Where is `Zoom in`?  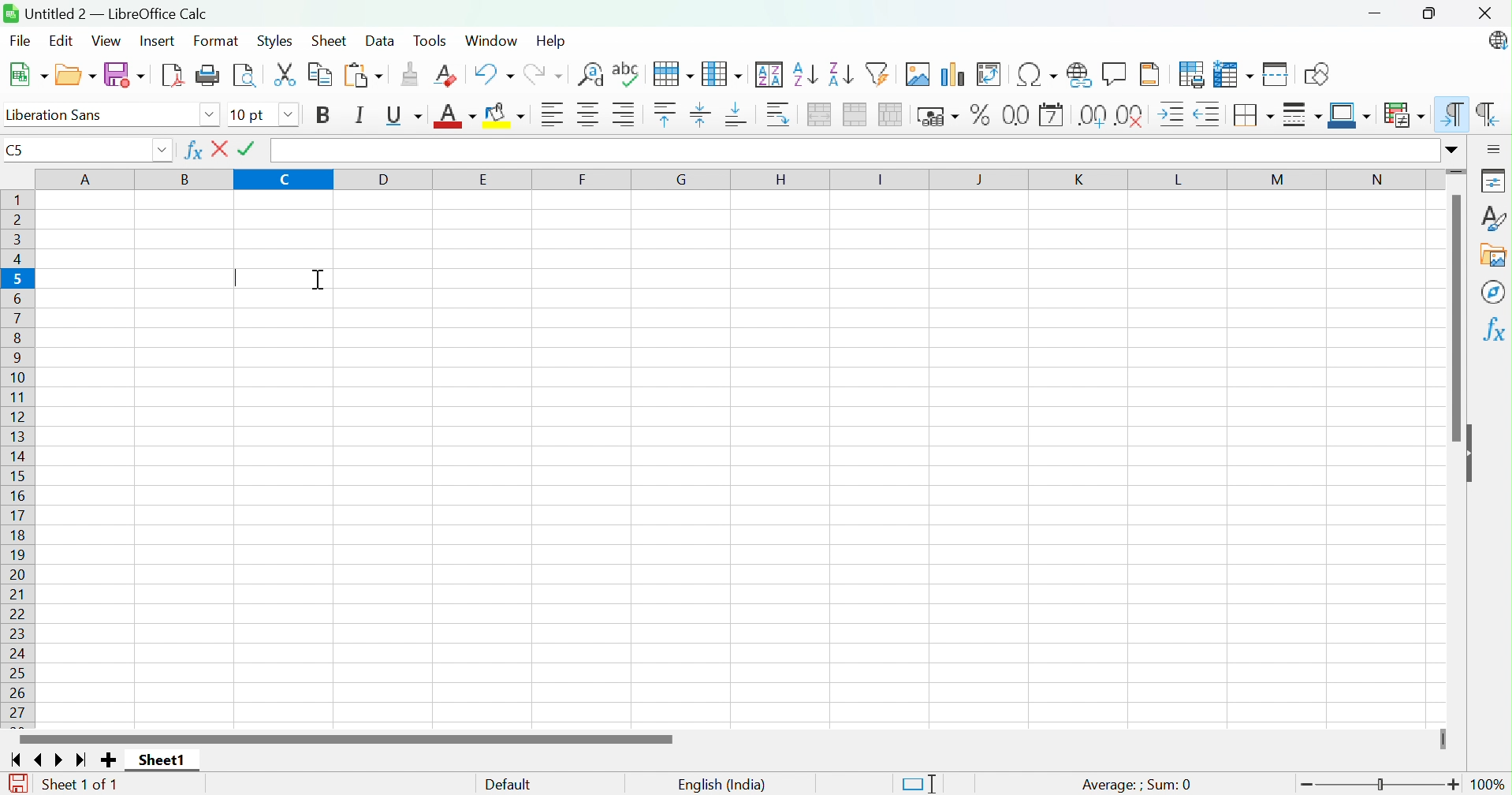
Zoom in is located at coordinates (1456, 785).